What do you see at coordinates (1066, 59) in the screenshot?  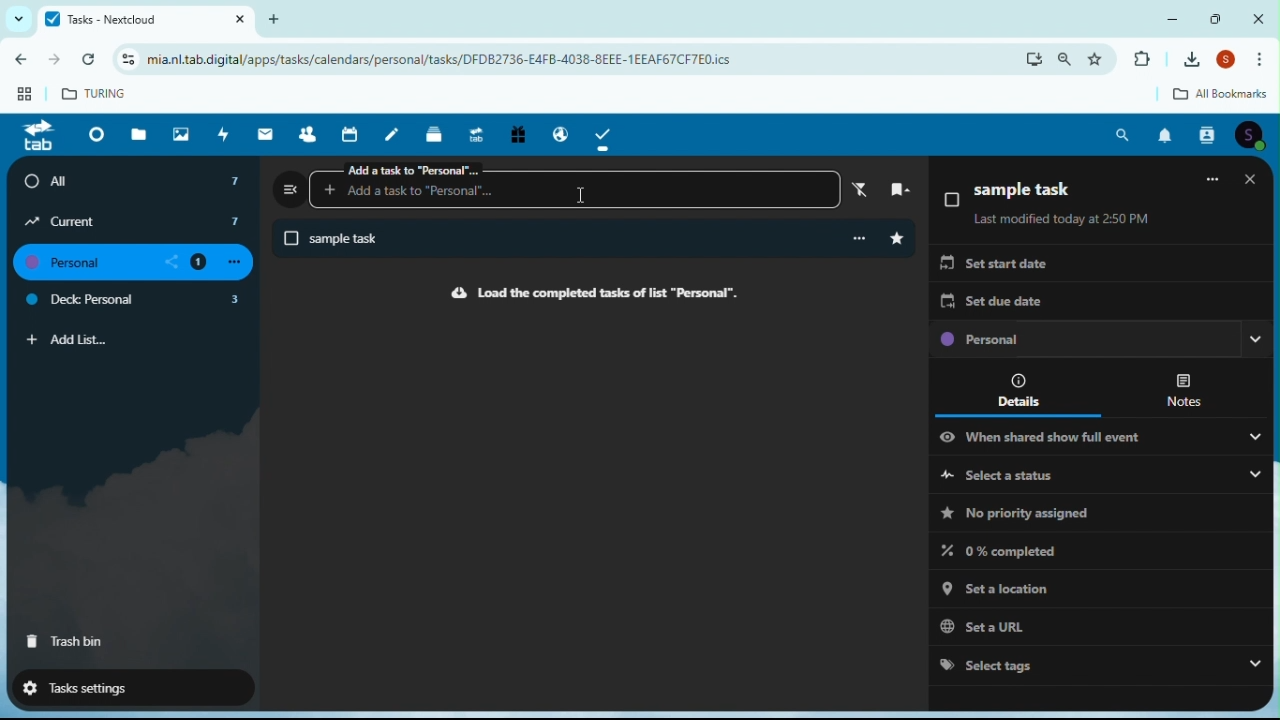 I see `search` at bounding box center [1066, 59].